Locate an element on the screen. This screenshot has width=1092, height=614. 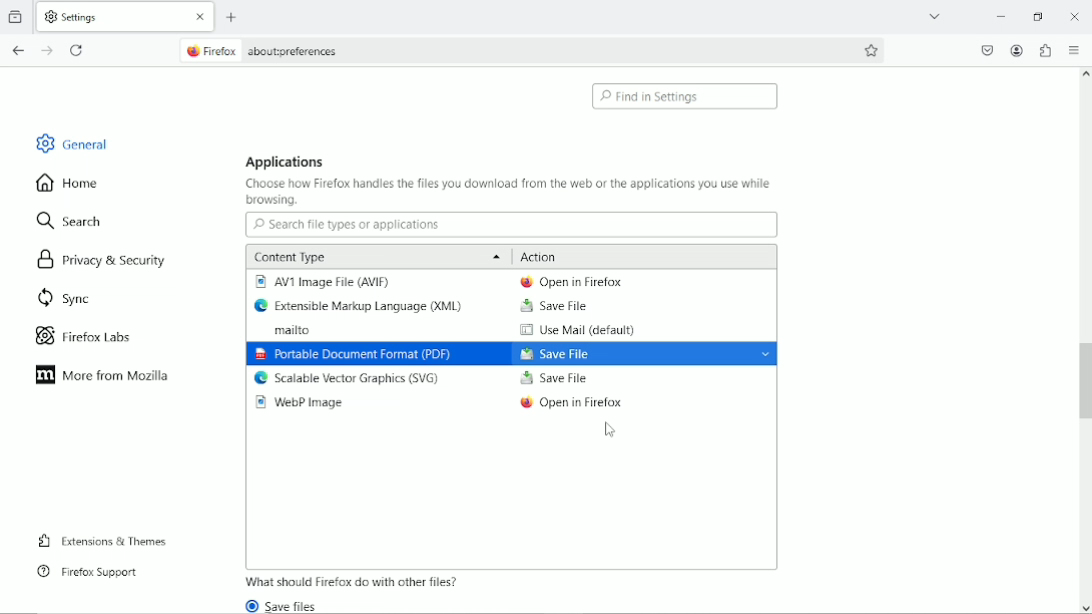
extensions & themes is located at coordinates (102, 542).